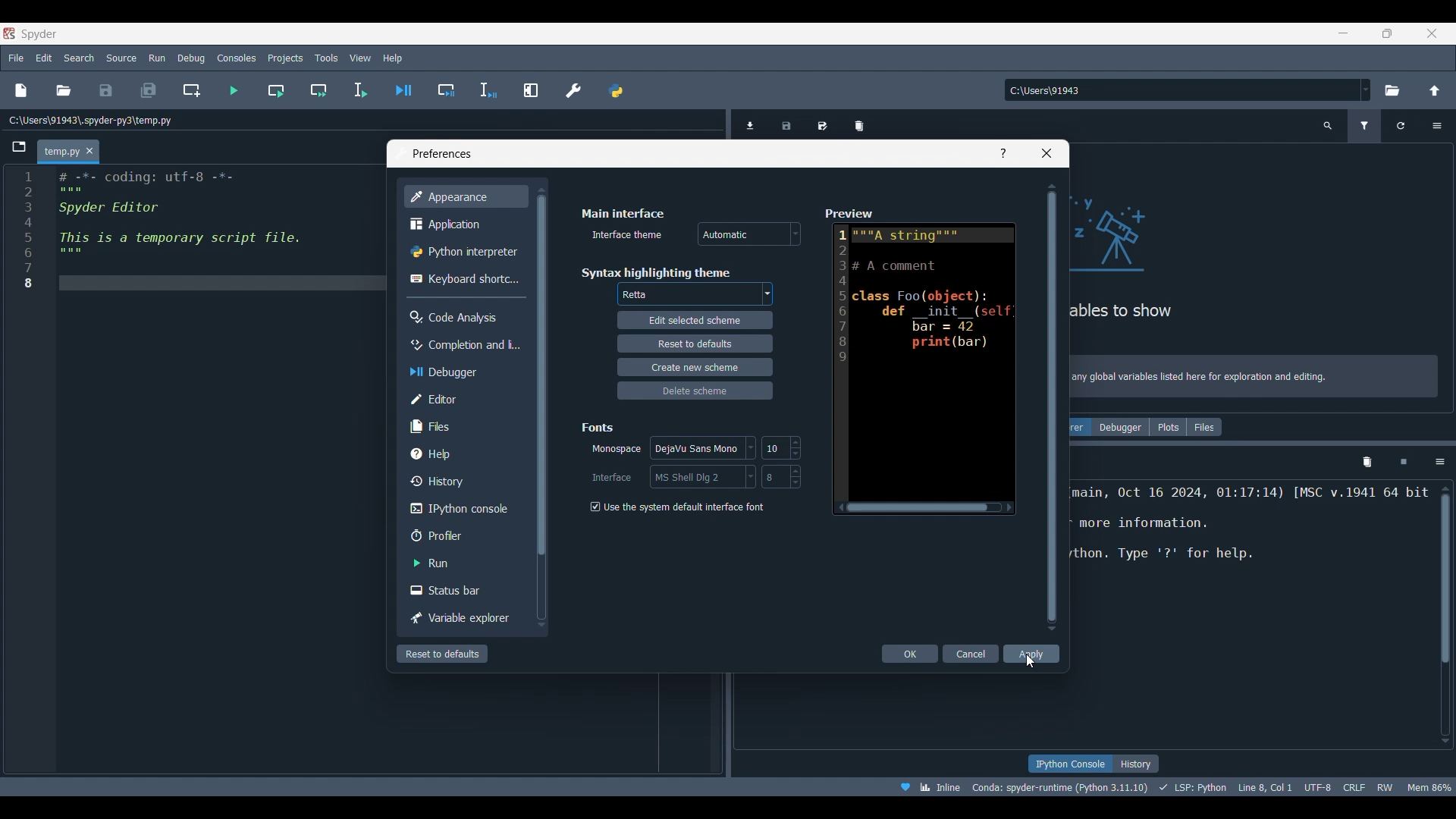 The width and height of the screenshot is (1456, 819). What do you see at coordinates (9, 33) in the screenshot?
I see `Software logo` at bounding box center [9, 33].